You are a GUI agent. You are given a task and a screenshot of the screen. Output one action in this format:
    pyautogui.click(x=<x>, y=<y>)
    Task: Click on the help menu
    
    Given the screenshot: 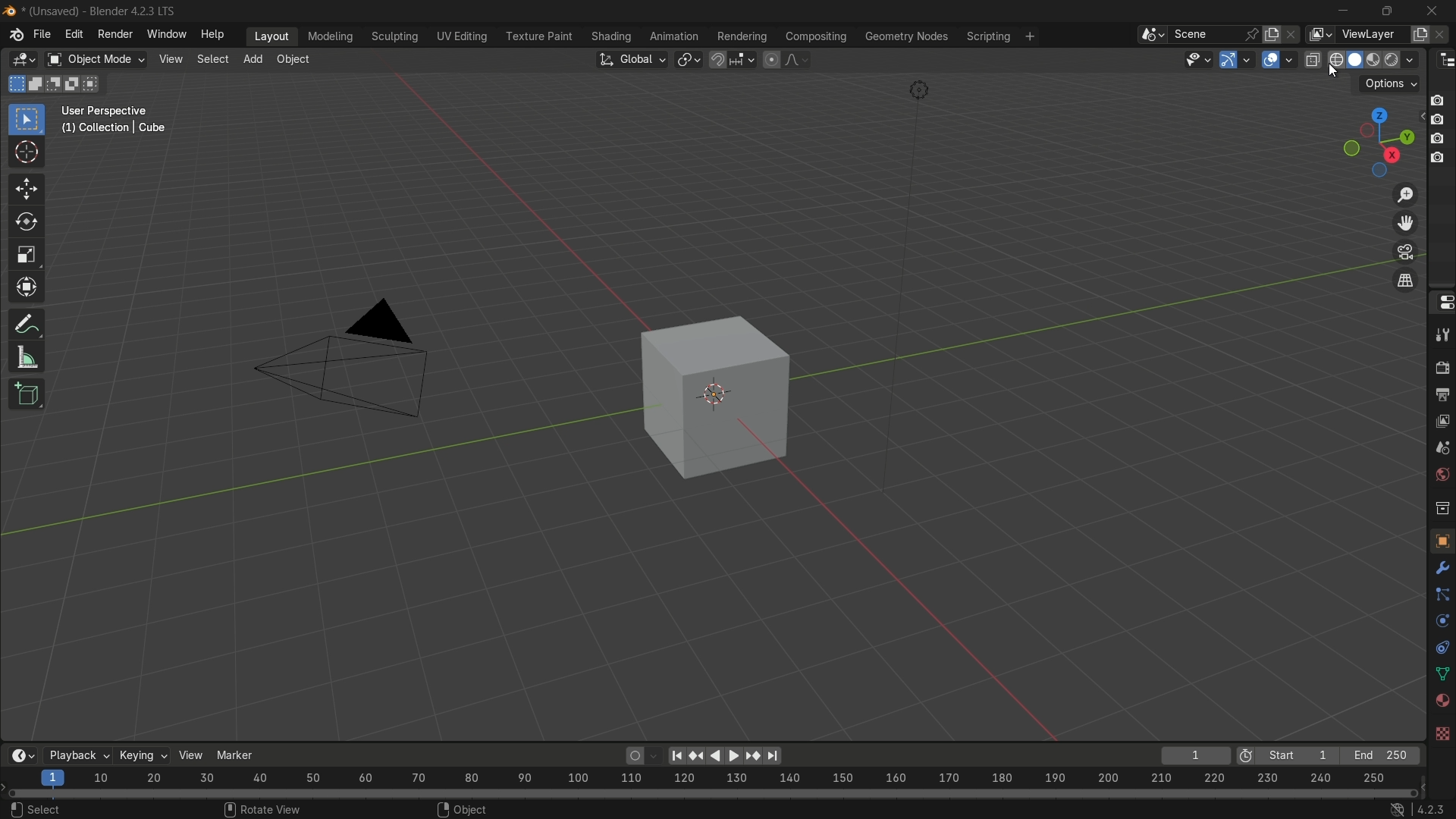 What is the action you would take?
    pyautogui.click(x=214, y=33)
    